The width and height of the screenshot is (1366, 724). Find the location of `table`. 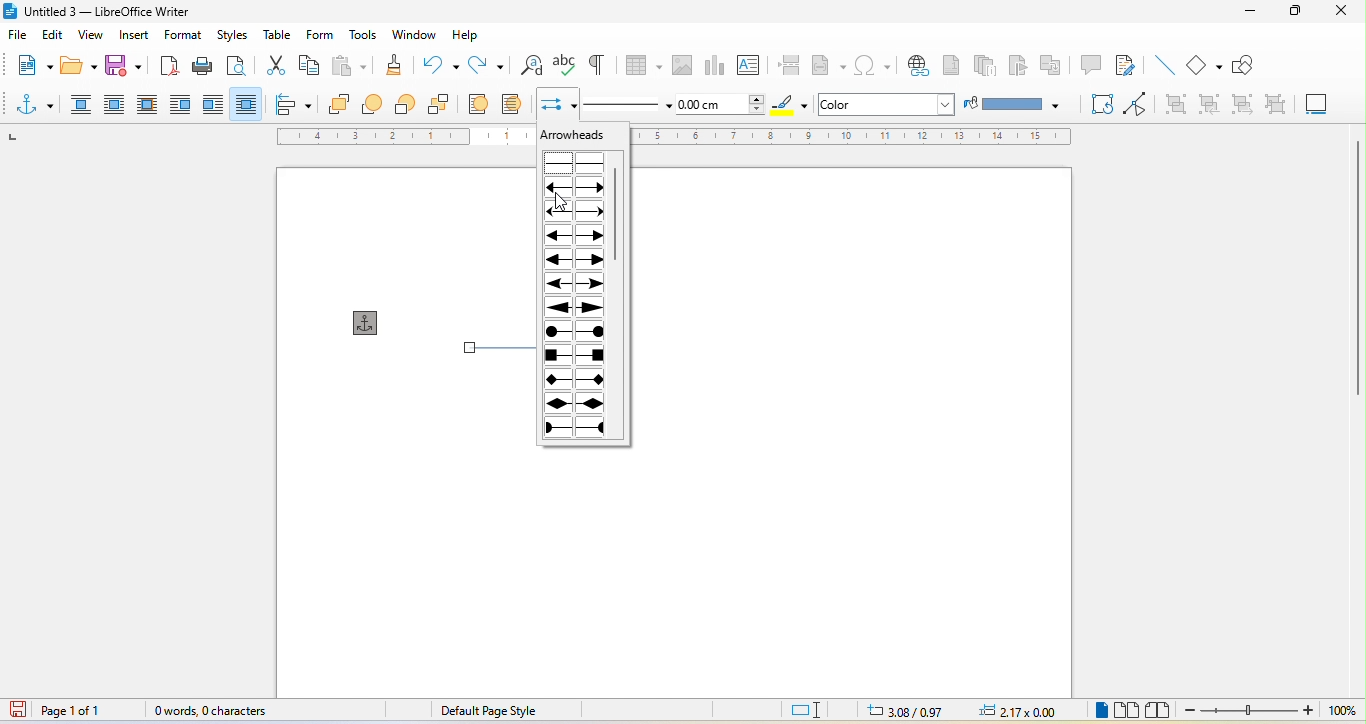

table is located at coordinates (642, 62).